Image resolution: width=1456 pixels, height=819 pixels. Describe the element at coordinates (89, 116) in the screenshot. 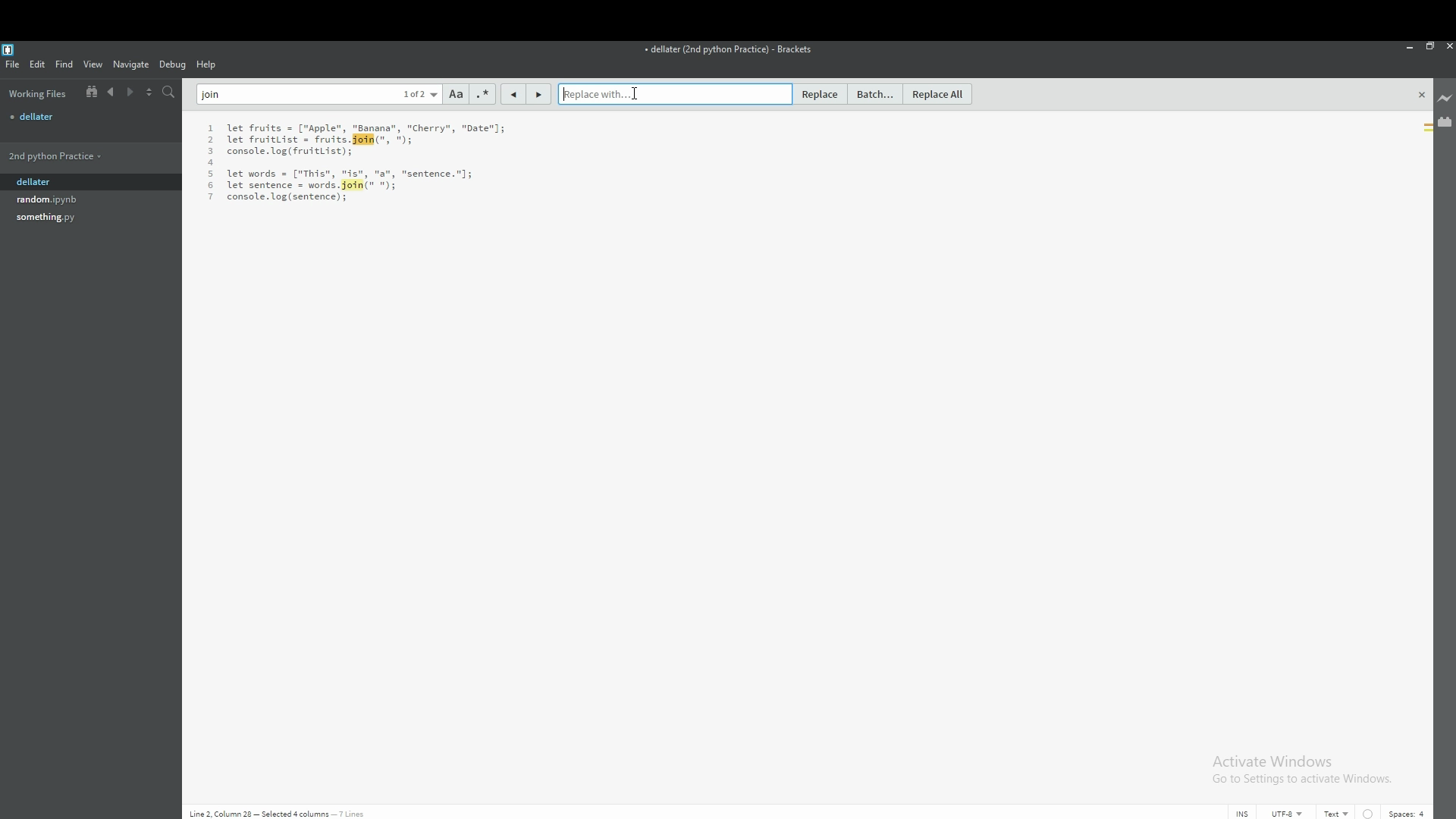

I see `file` at that location.